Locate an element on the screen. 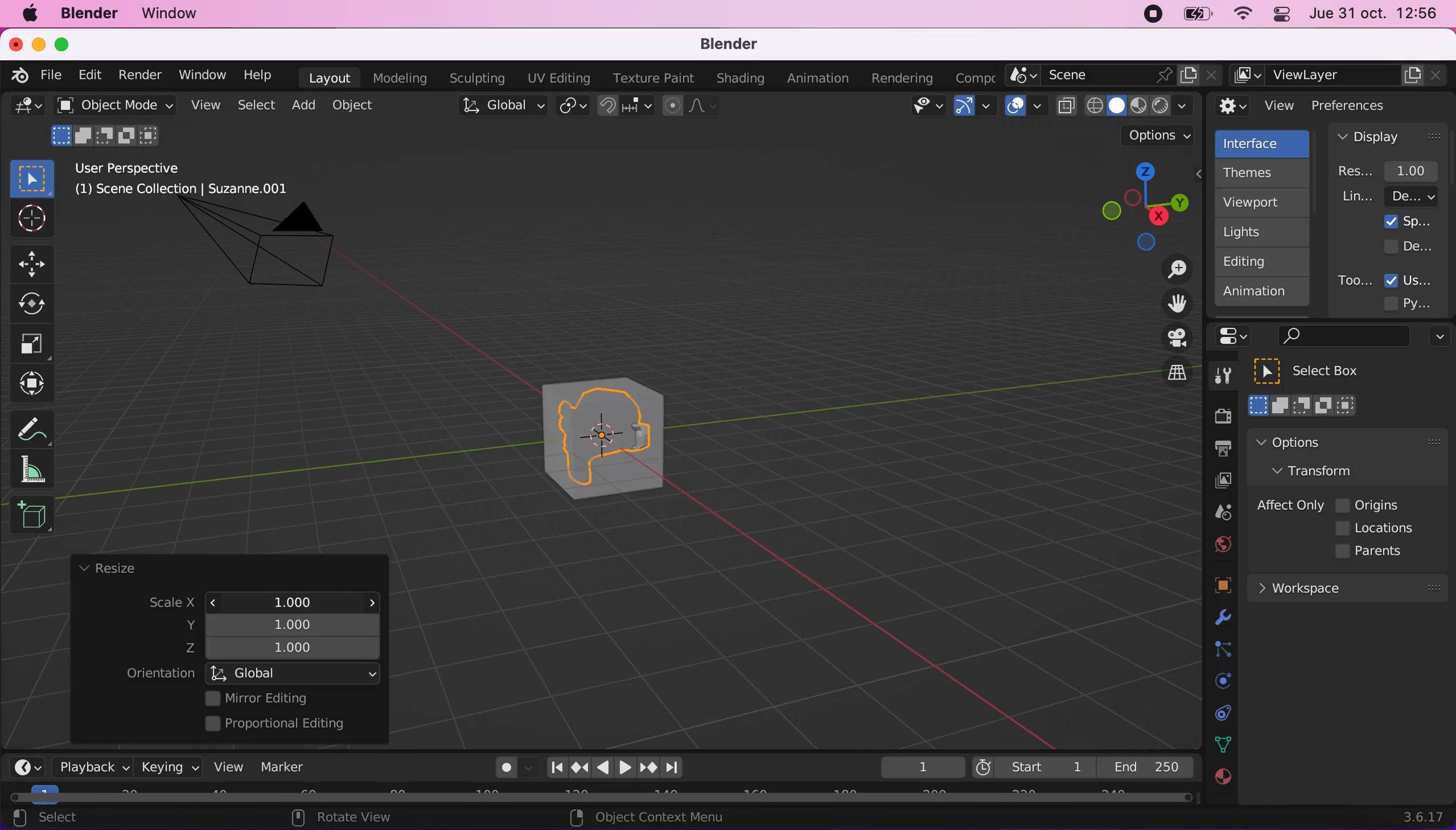  click, shortcut, drag is located at coordinates (1141, 206).